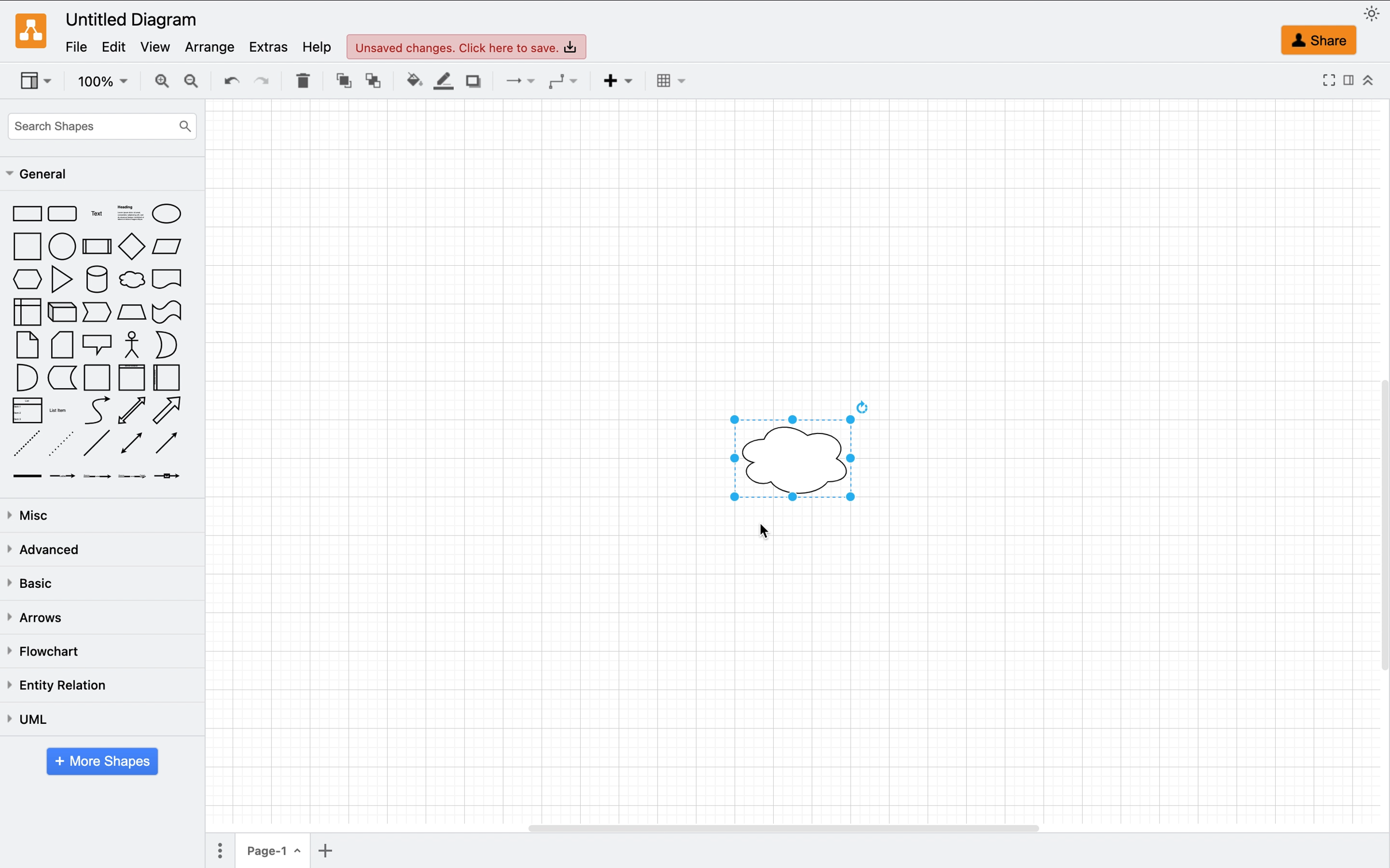 This screenshot has height=868, width=1390. I want to click on connetors, so click(515, 82).